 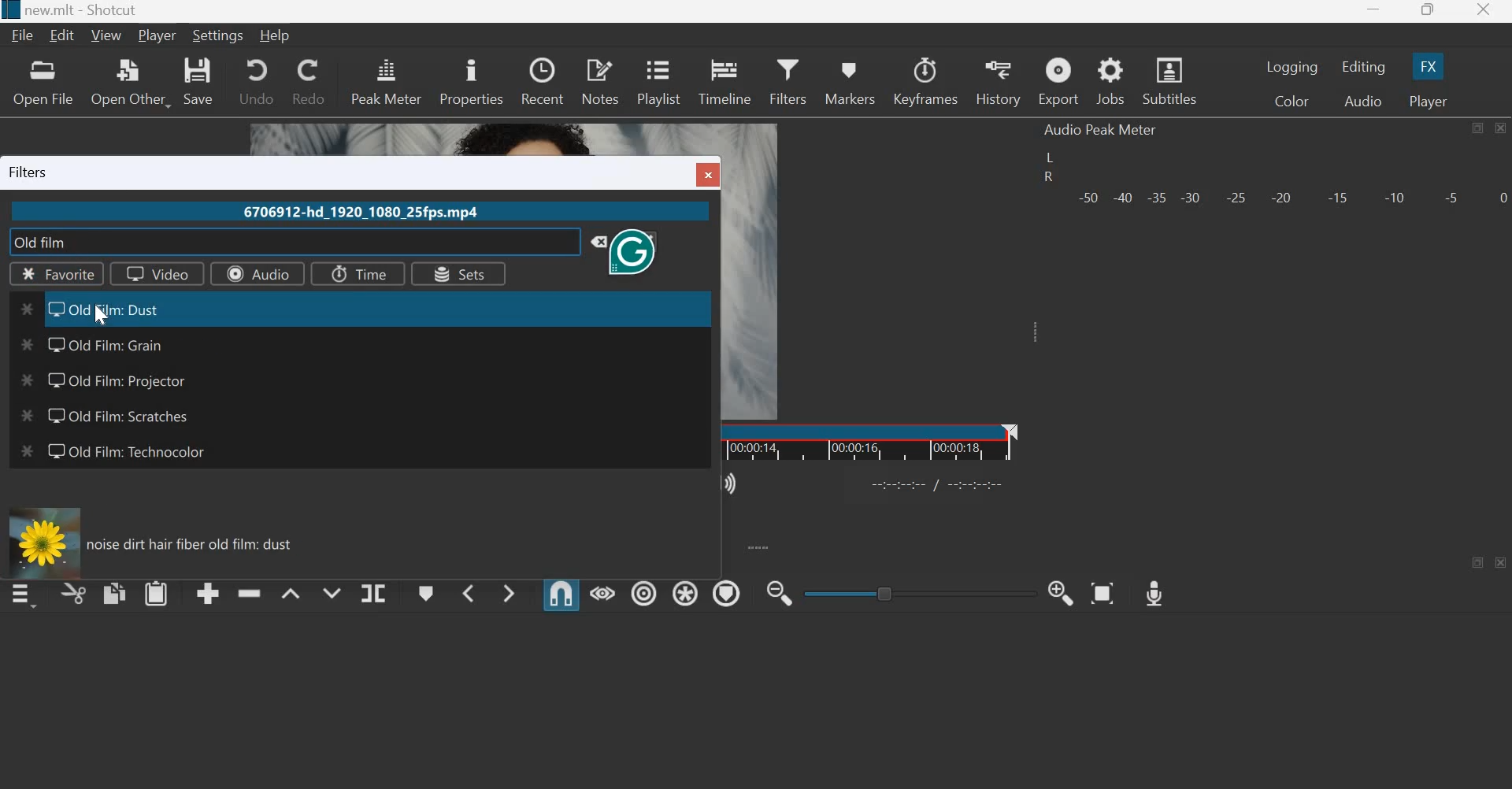 What do you see at coordinates (427, 594) in the screenshot?
I see `Create/edit marker` at bounding box center [427, 594].